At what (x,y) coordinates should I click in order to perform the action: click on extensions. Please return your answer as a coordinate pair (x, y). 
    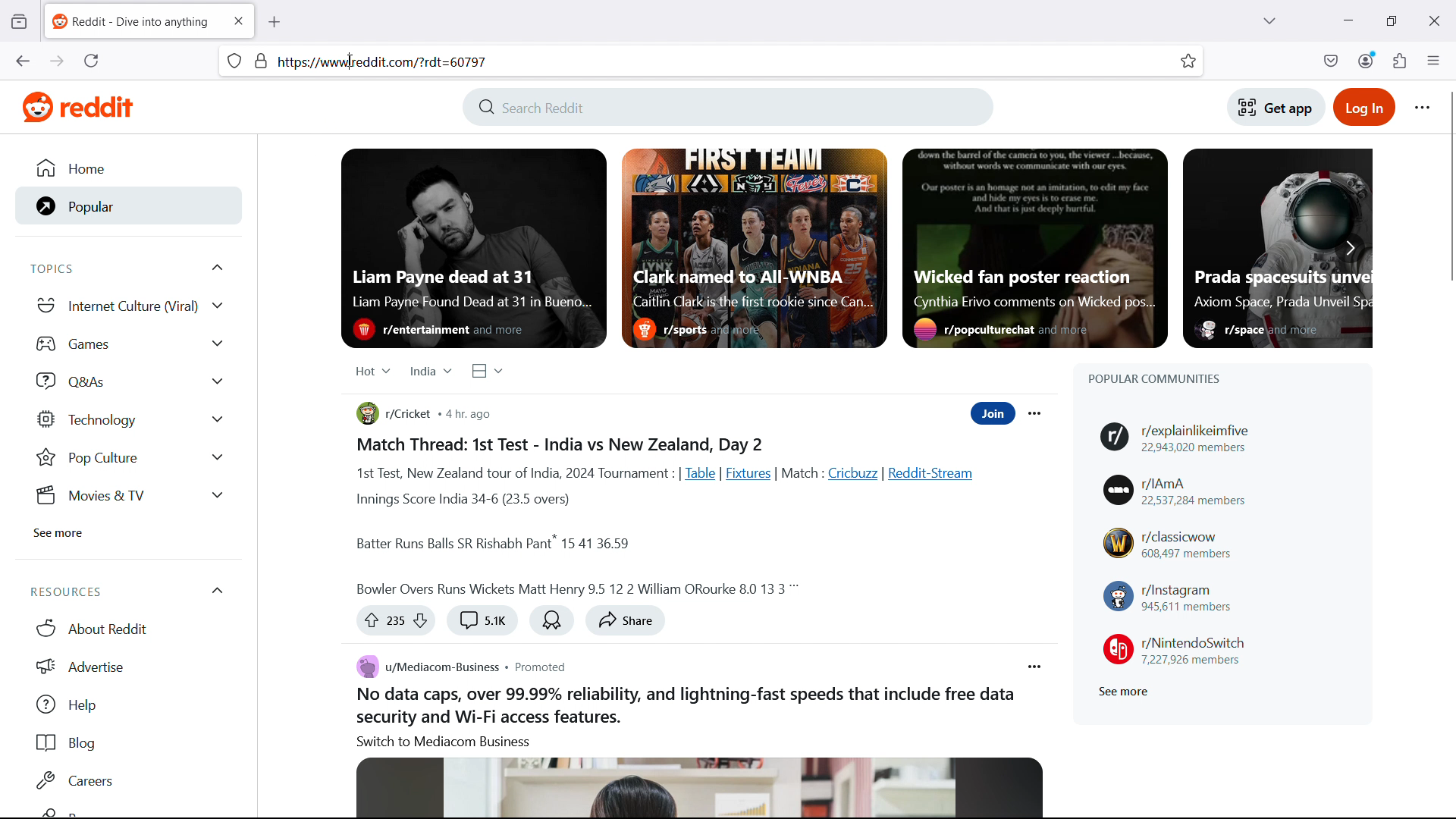
    Looking at the image, I should click on (1401, 59).